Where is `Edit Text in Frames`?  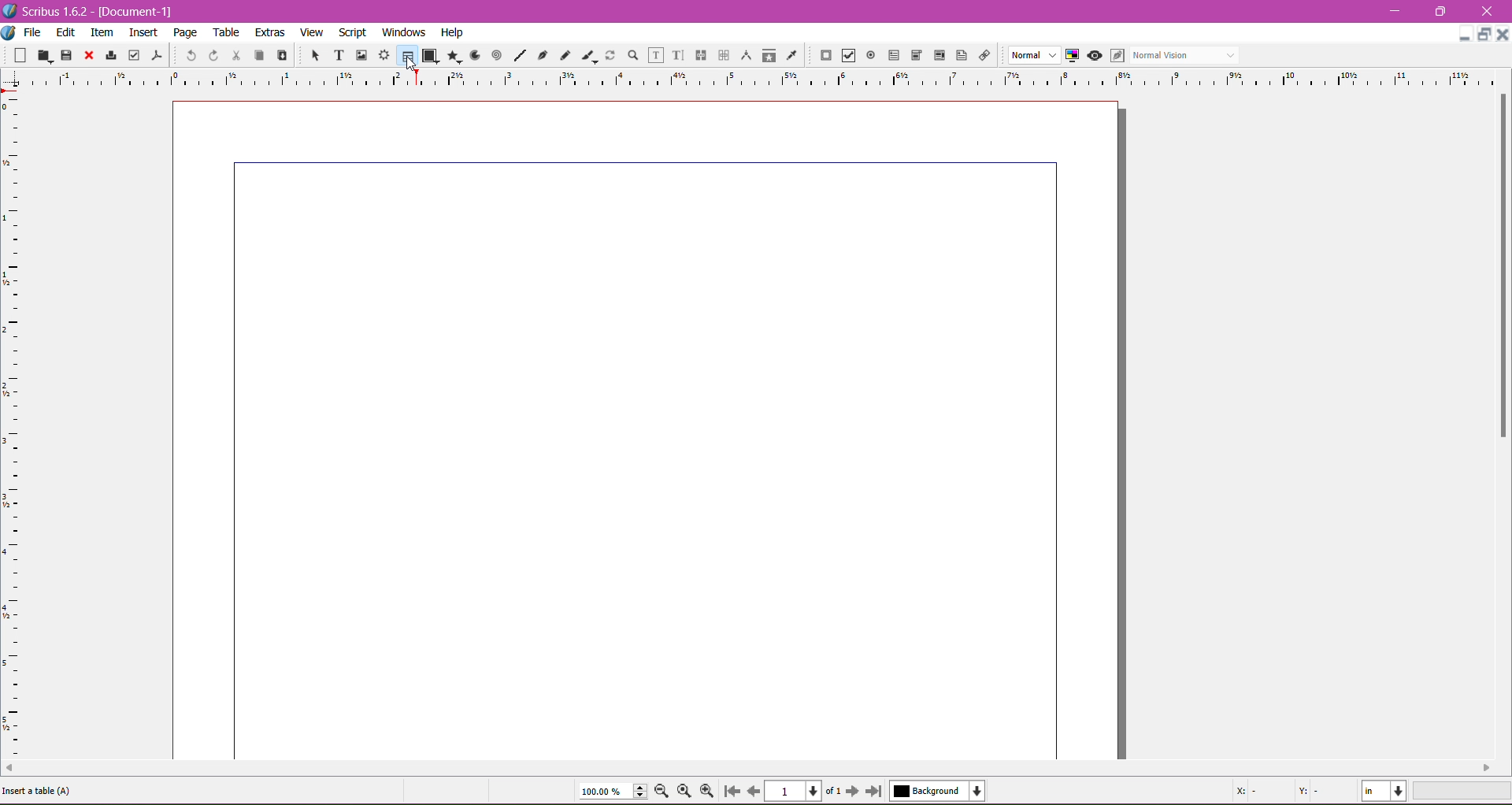 Edit Text in Frames is located at coordinates (656, 55).